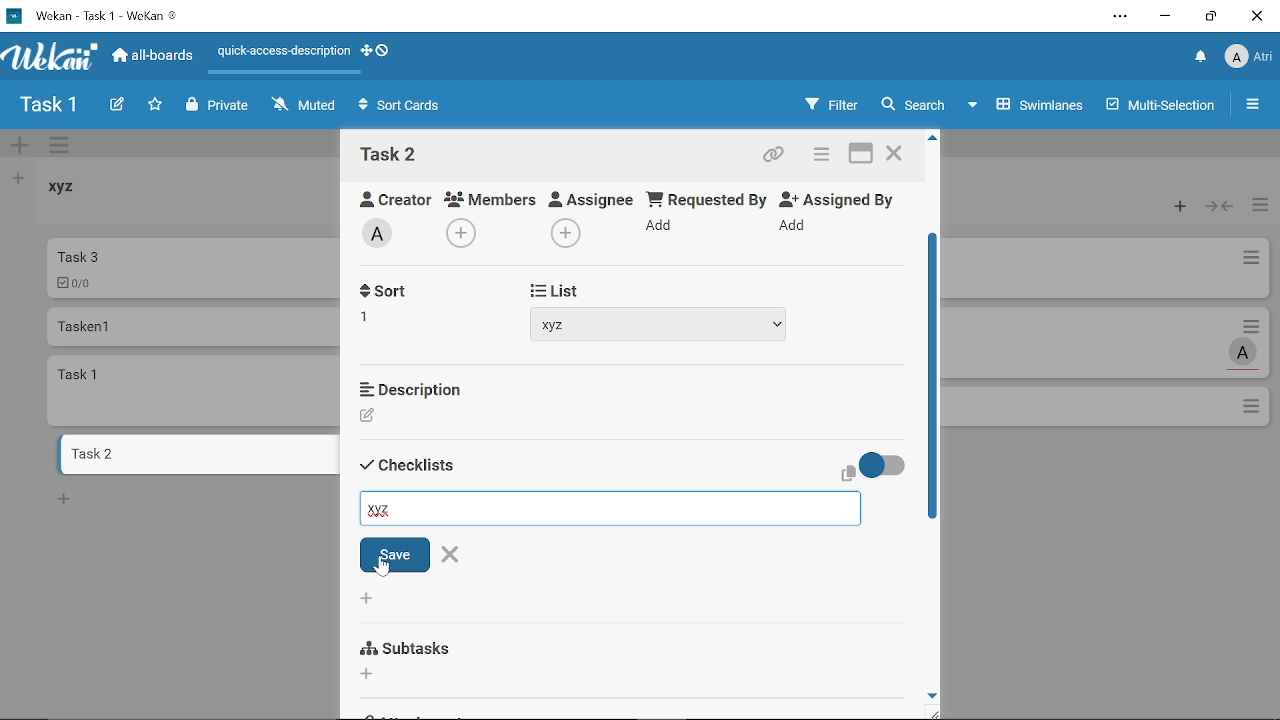 The height and width of the screenshot is (720, 1280). Describe the element at coordinates (887, 466) in the screenshot. I see `On/Off` at that location.